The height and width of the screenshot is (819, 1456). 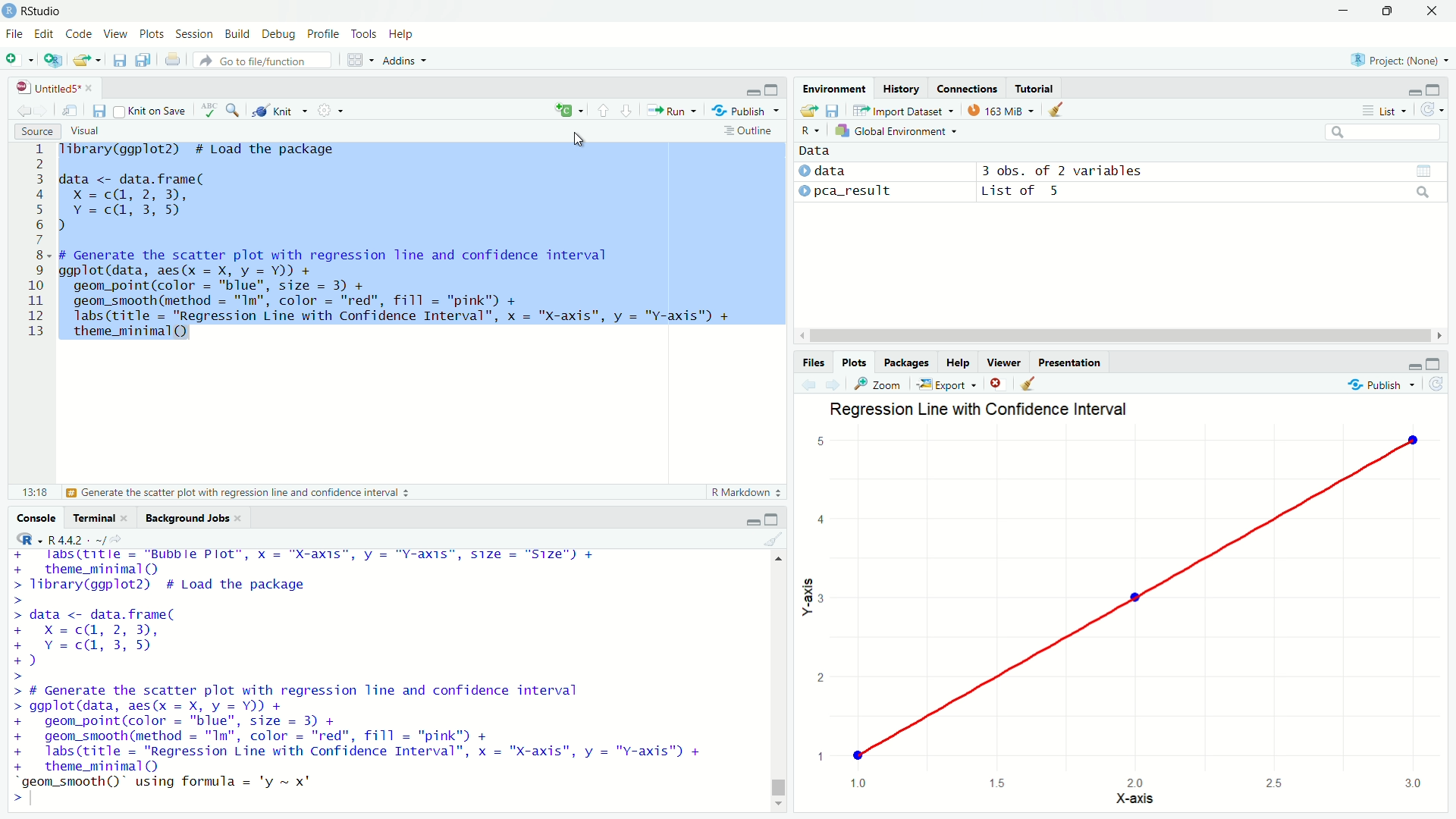 What do you see at coordinates (804, 191) in the screenshot?
I see `expand/collapse` at bounding box center [804, 191].